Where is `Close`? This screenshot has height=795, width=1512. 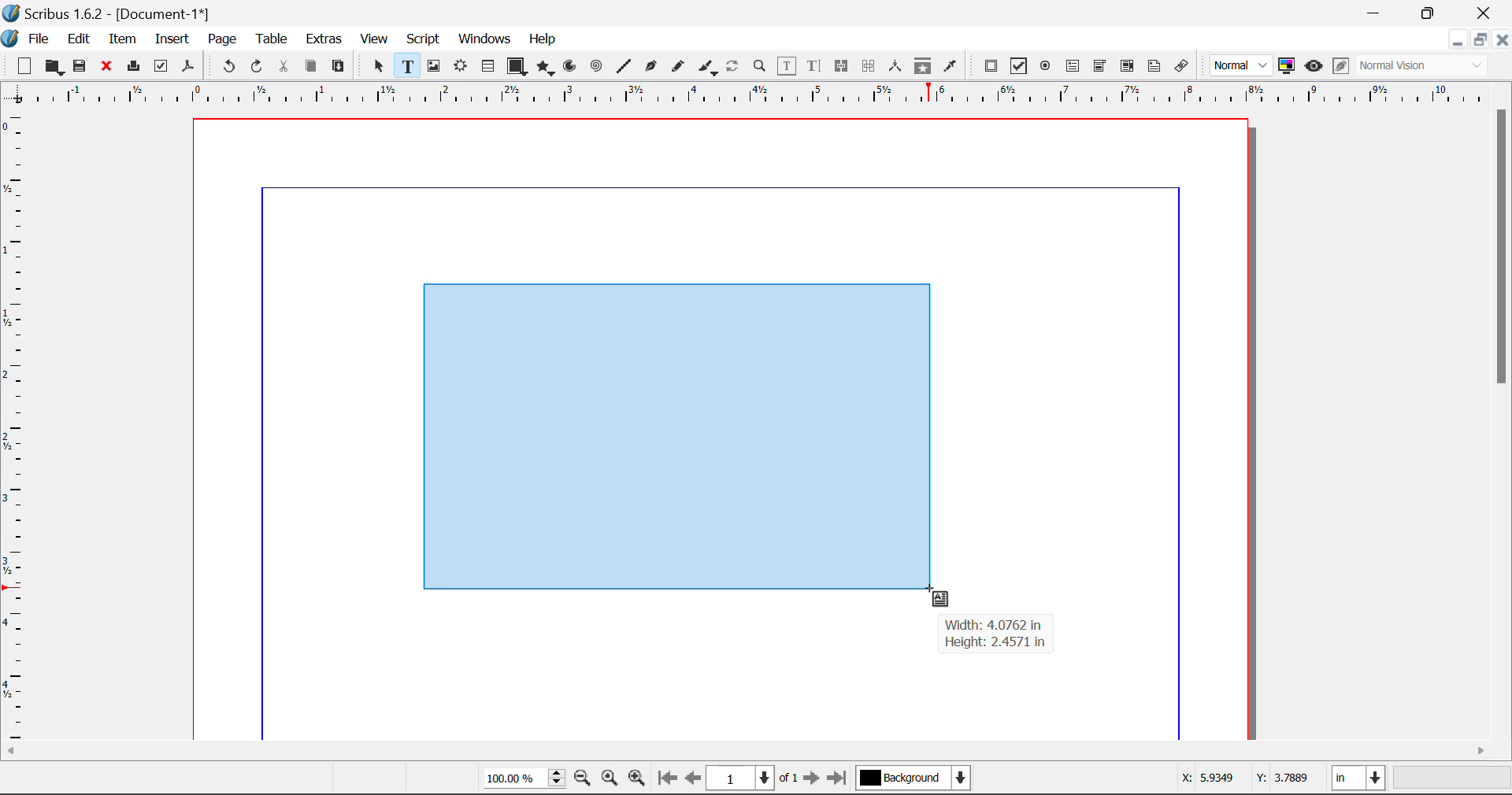 Close is located at coordinates (1485, 13).